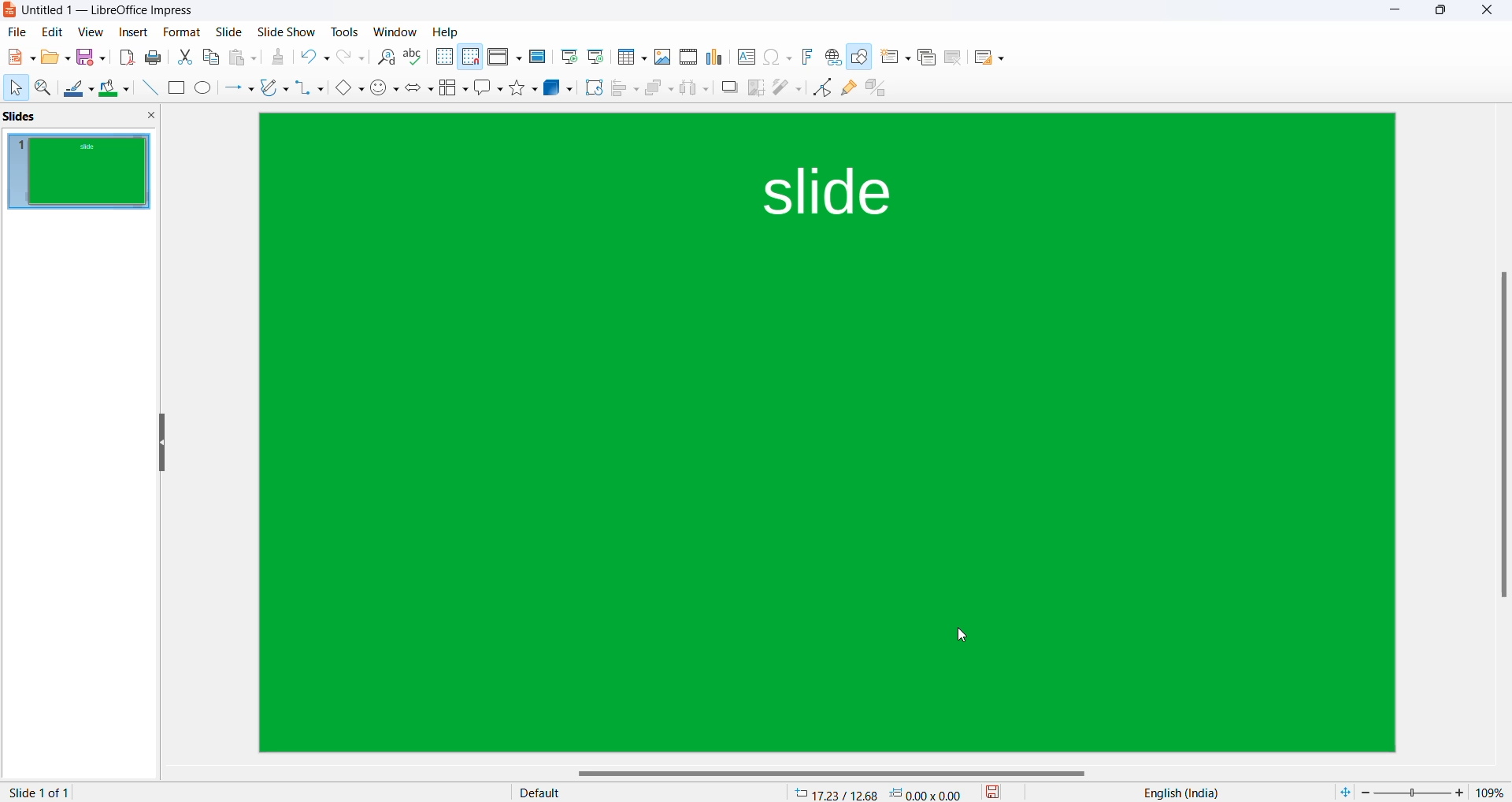 The image size is (1512, 802). What do you see at coordinates (470, 58) in the screenshot?
I see `snap to grid` at bounding box center [470, 58].